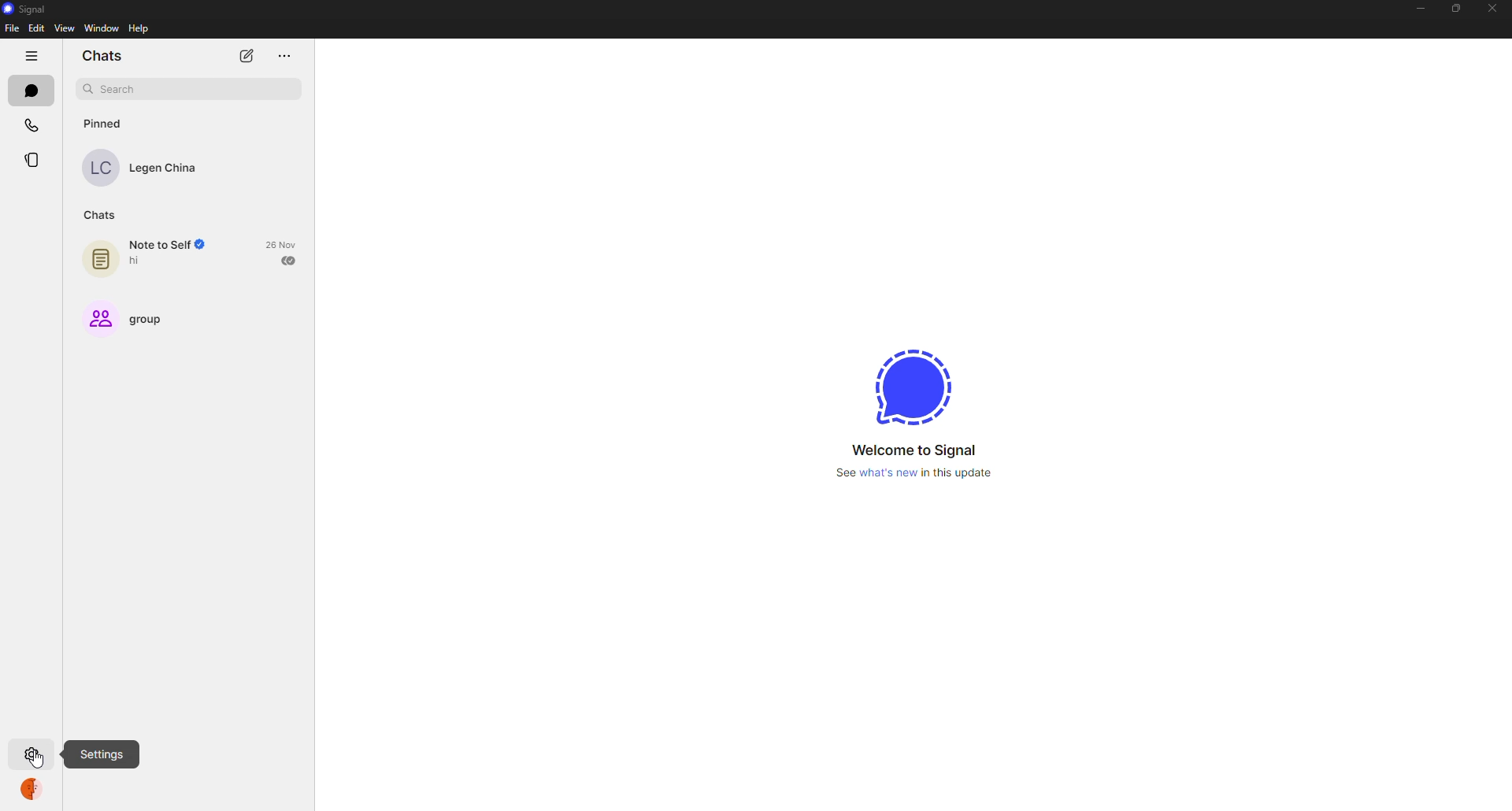  Describe the element at coordinates (281, 245) in the screenshot. I see `date` at that location.